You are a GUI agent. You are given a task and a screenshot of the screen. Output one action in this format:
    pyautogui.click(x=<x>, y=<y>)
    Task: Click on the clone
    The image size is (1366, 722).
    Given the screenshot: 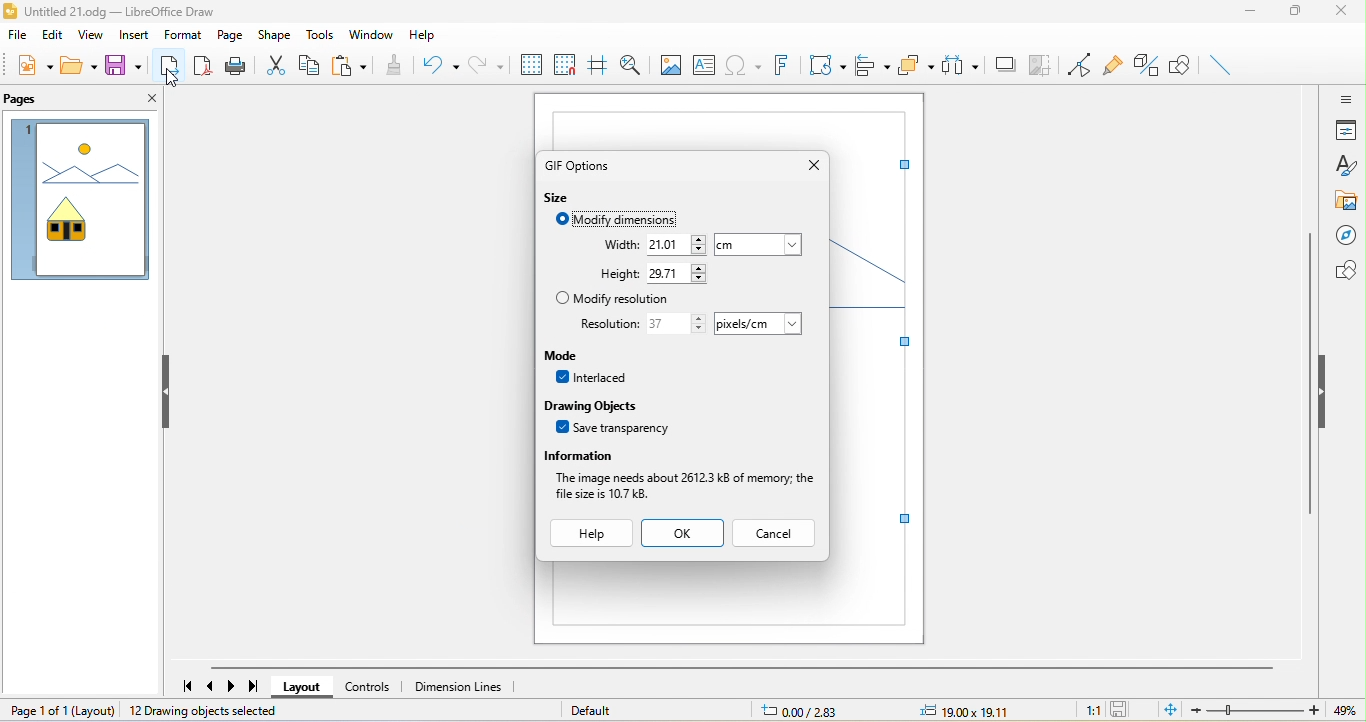 What is the action you would take?
    pyautogui.click(x=397, y=66)
    